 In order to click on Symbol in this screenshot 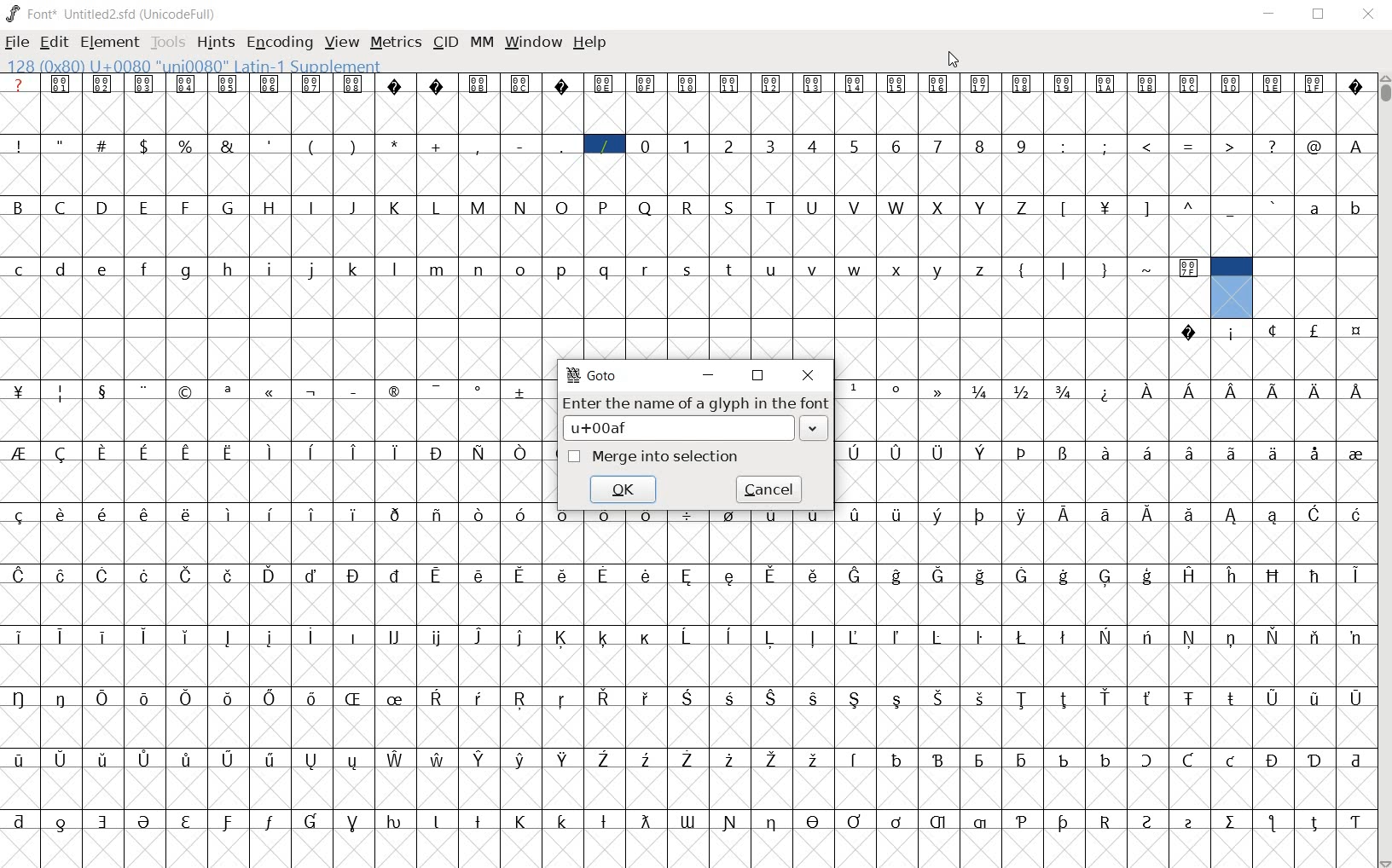, I will do `click(1024, 454)`.